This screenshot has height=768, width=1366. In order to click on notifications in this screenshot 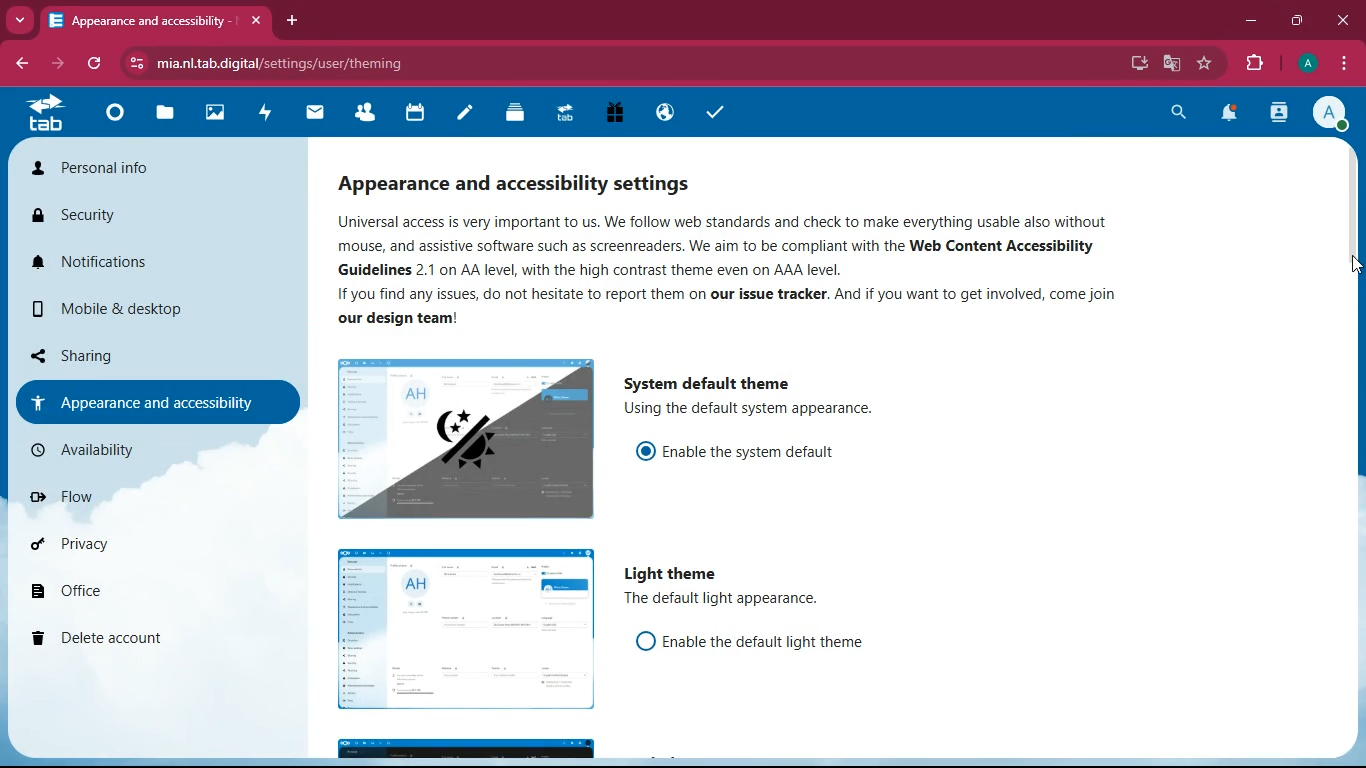, I will do `click(112, 262)`.